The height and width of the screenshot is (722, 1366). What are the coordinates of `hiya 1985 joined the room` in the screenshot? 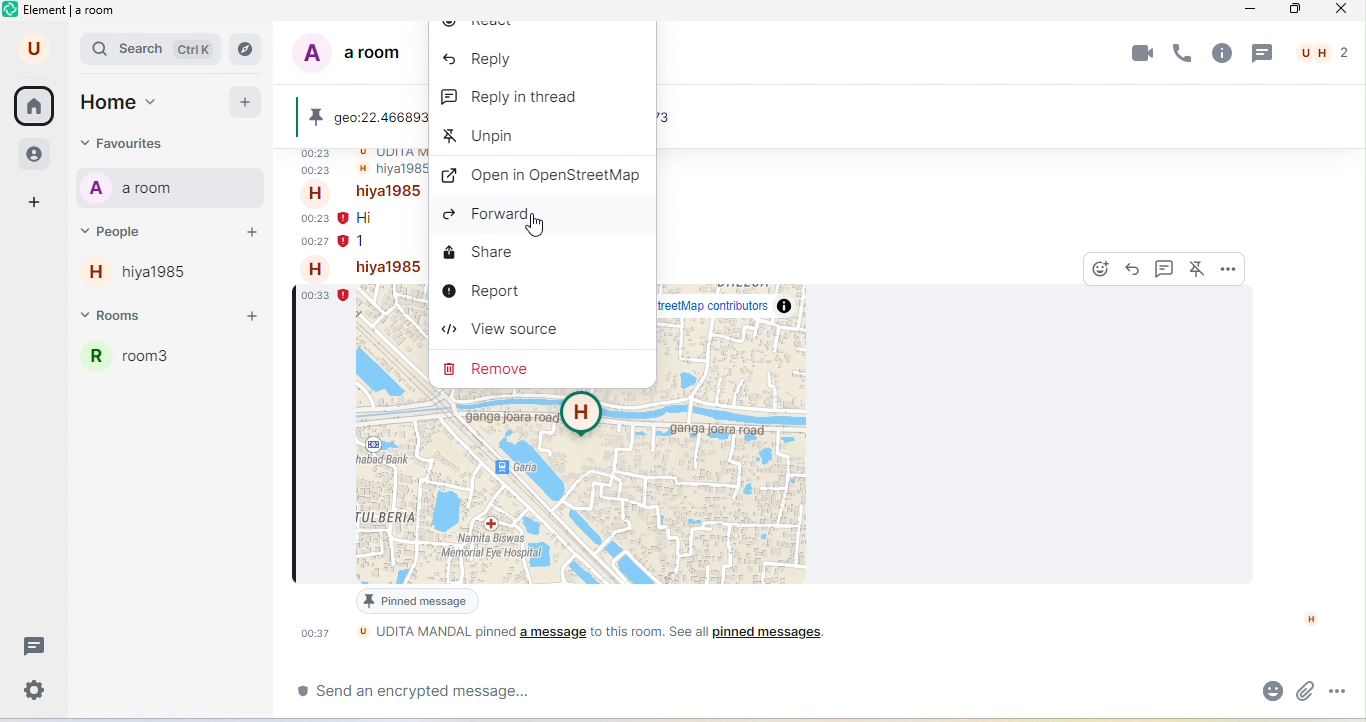 It's located at (386, 171).